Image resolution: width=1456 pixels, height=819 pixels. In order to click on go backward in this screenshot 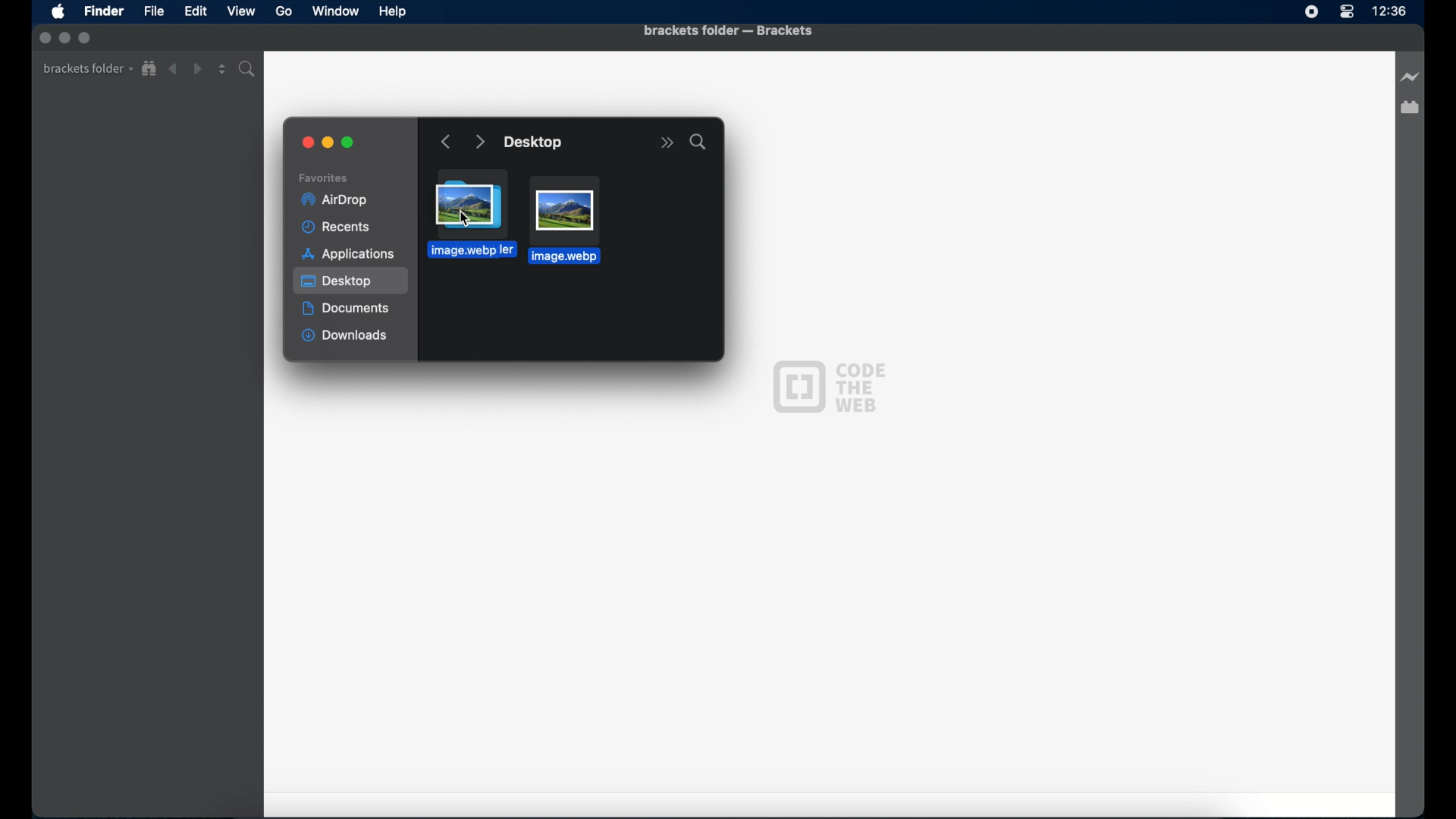, I will do `click(447, 143)`.